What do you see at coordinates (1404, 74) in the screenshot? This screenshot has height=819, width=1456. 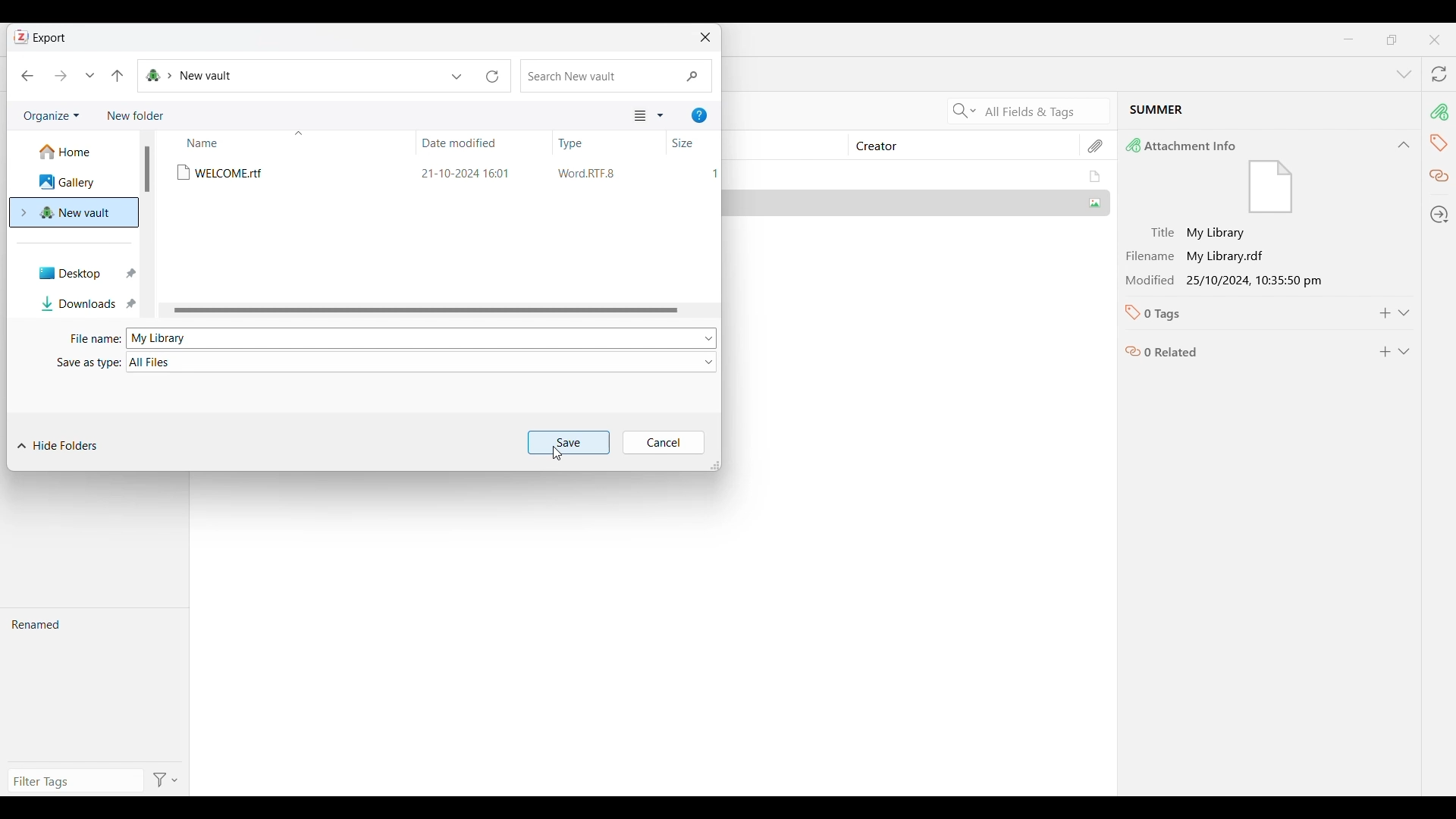 I see `List all tabs` at bounding box center [1404, 74].